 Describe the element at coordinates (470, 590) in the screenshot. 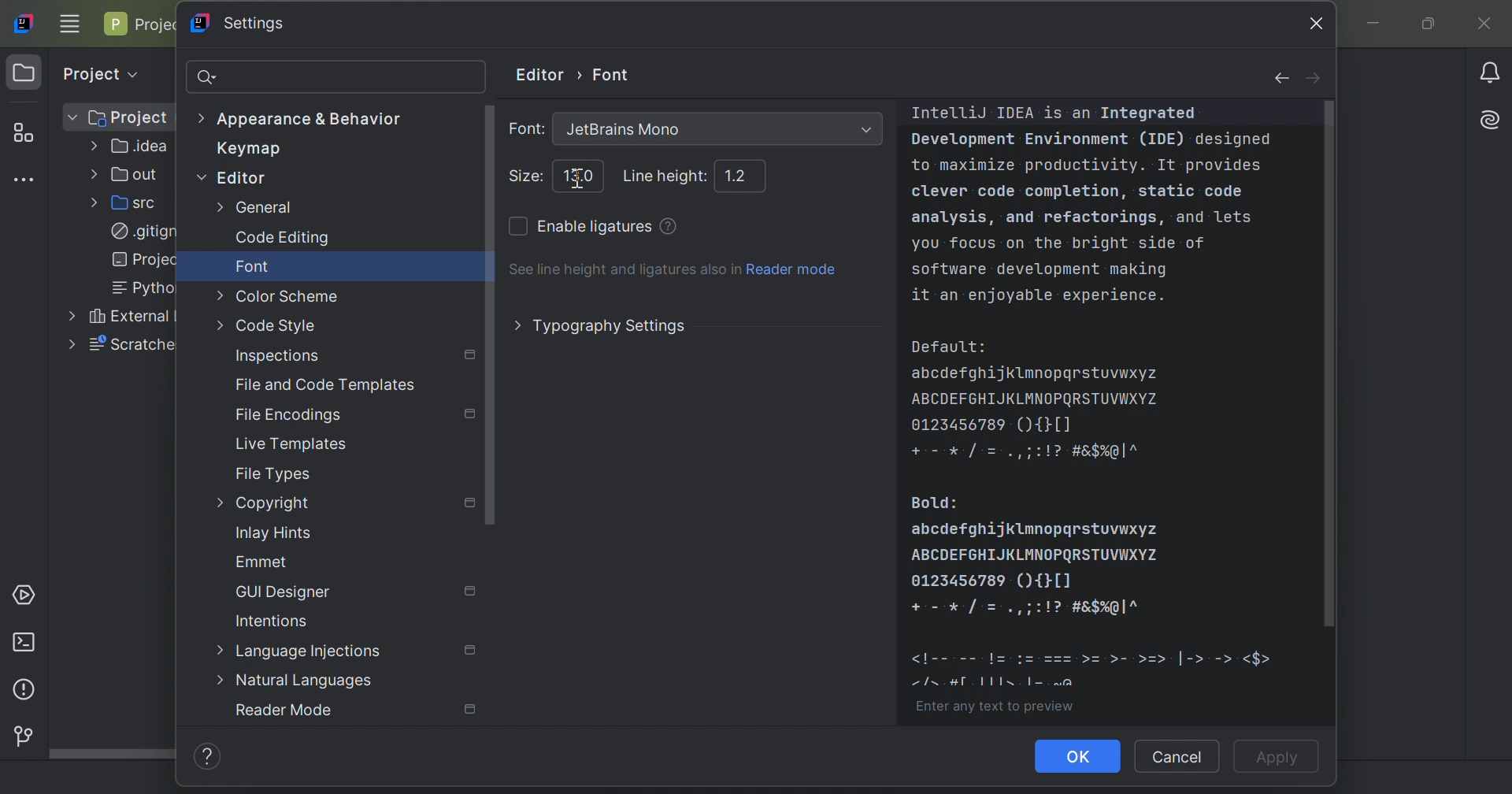

I see `Settings marked with this icon are only applied to the current project. Non-marked settings are applied to all projects.` at that location.